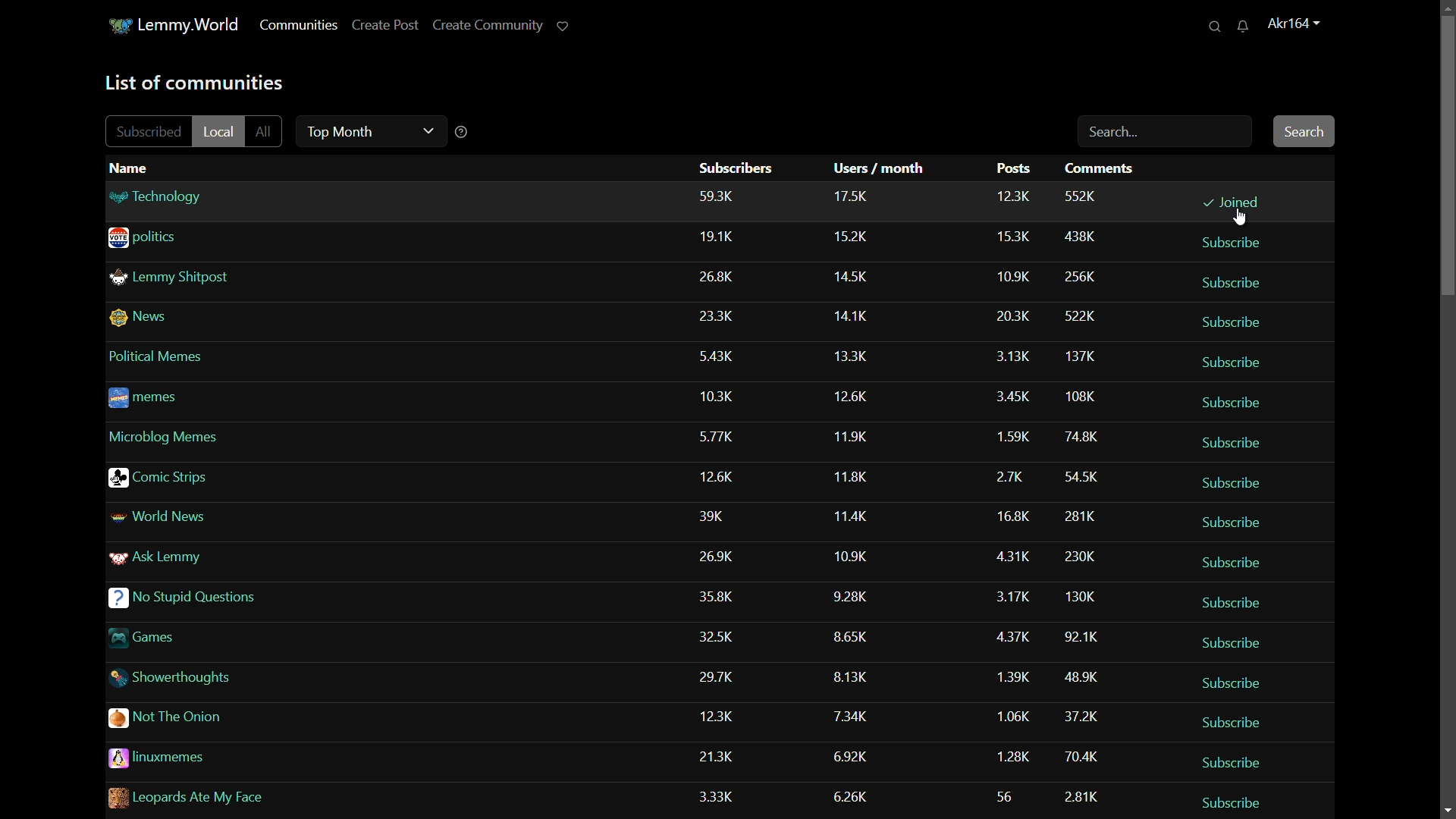 Image resolution: width=1456 pixels, height=819 pixels. I want to click on subscribe/unsubscribe, so click(1226, 319).